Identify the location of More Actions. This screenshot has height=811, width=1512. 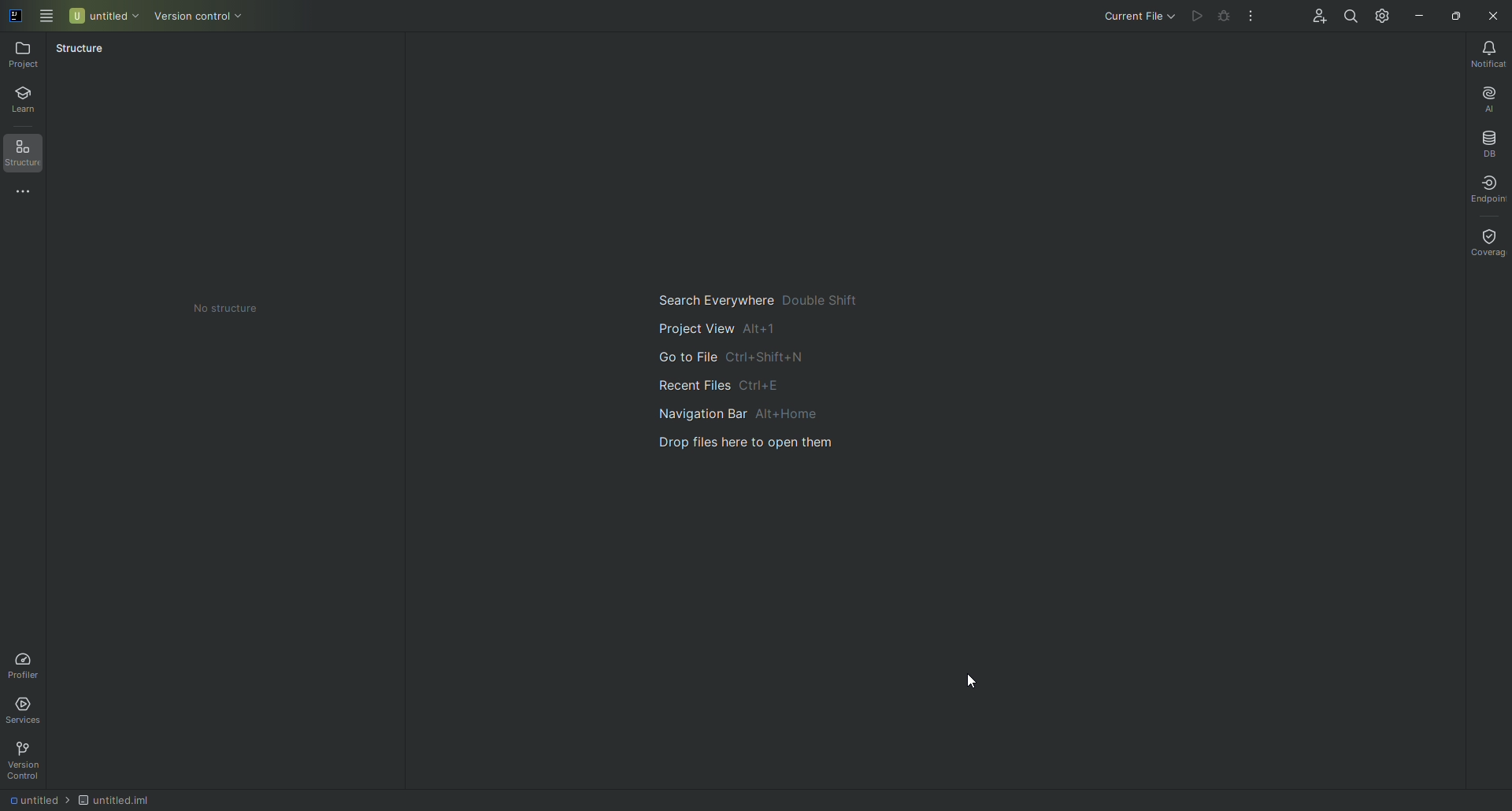
(1251, 16).